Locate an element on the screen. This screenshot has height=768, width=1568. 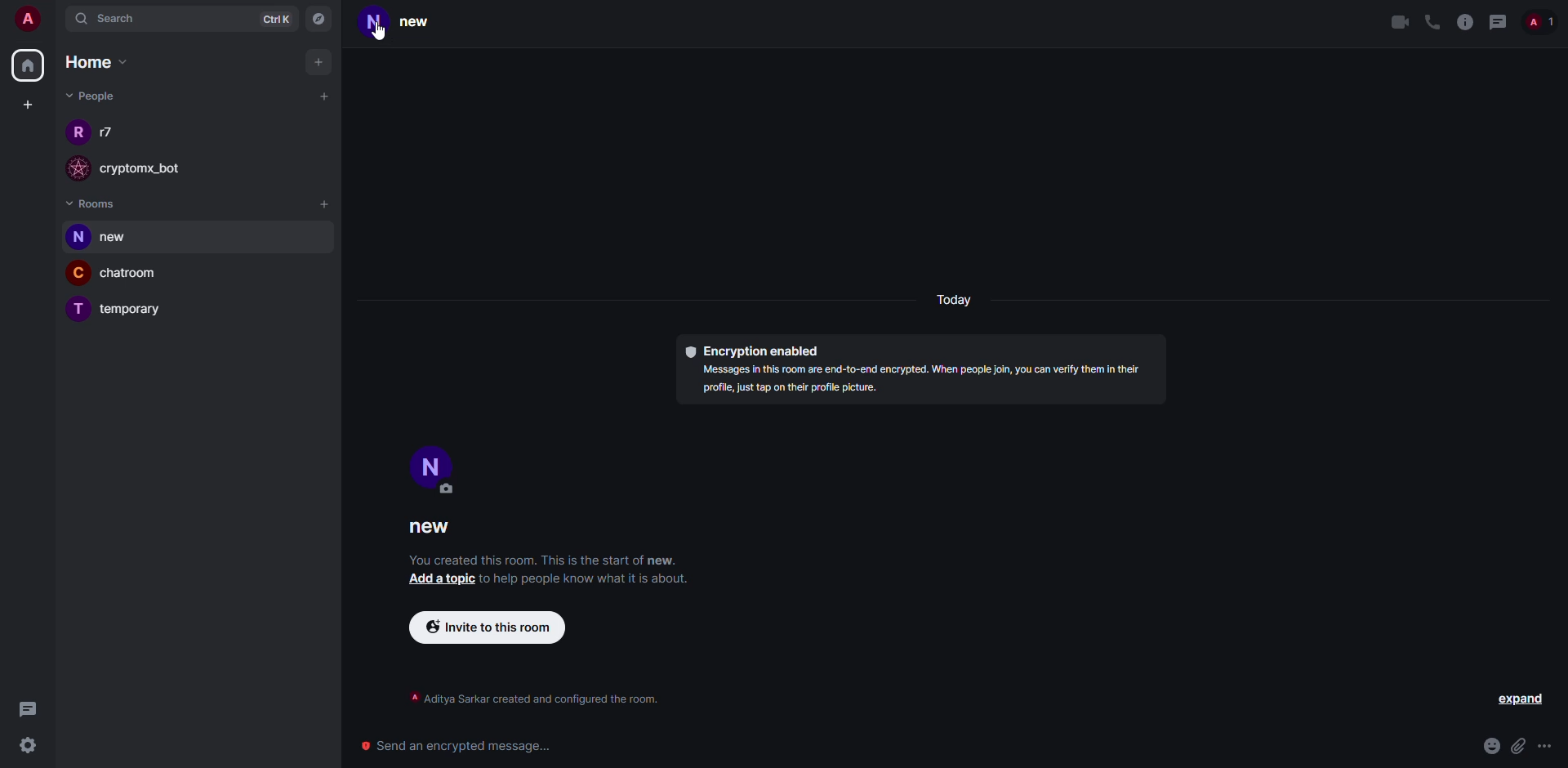
ifo is located at coordinates (926, 381).